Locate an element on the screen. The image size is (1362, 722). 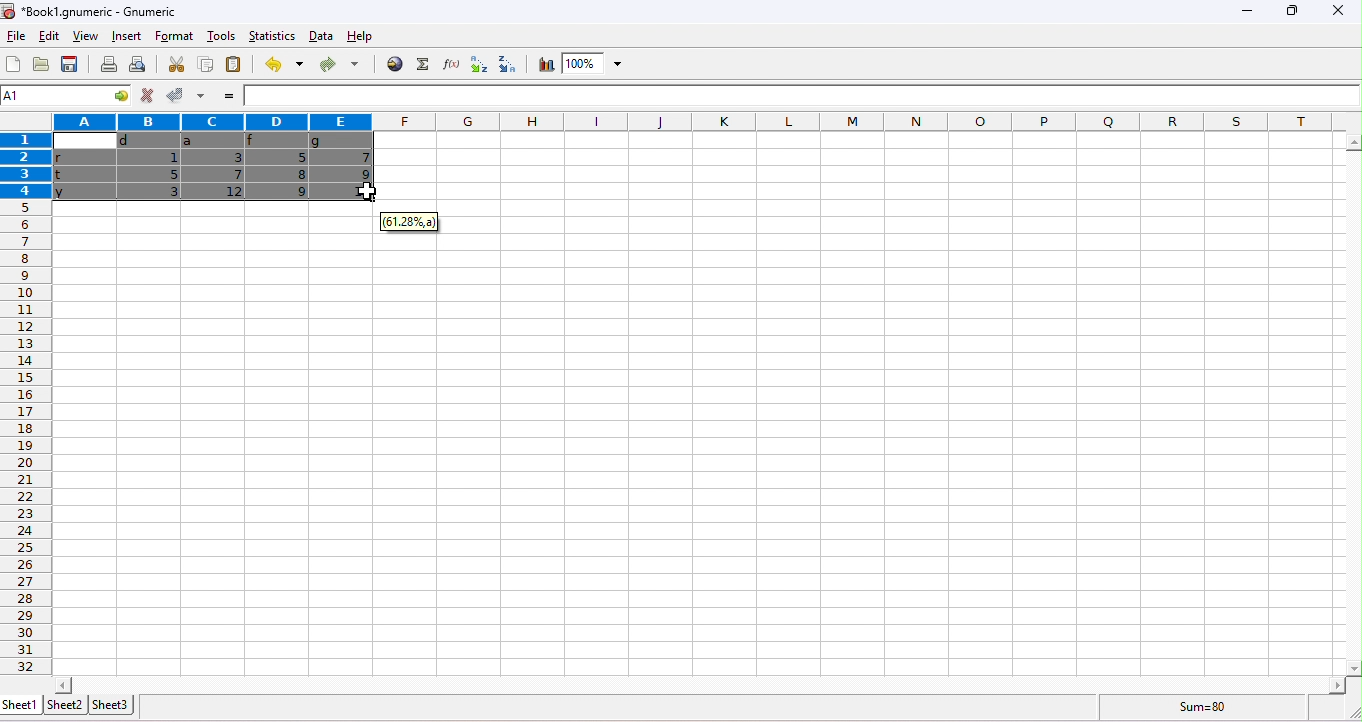
chart is located at coordinates (543, 64).